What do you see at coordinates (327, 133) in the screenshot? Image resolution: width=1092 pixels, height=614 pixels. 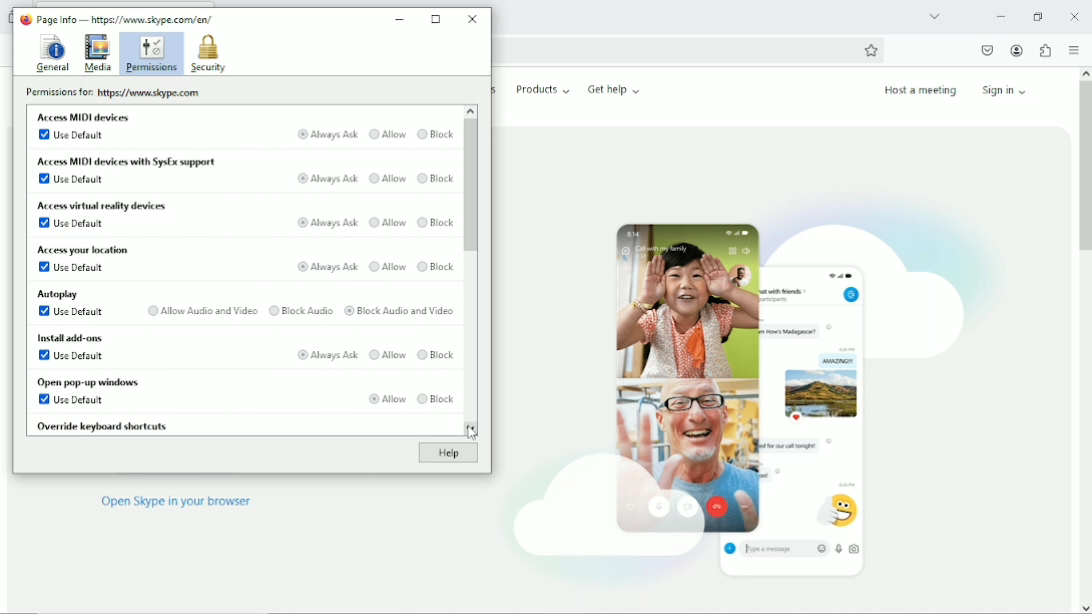 I see `Always ask` at bounding box center [327, 133].